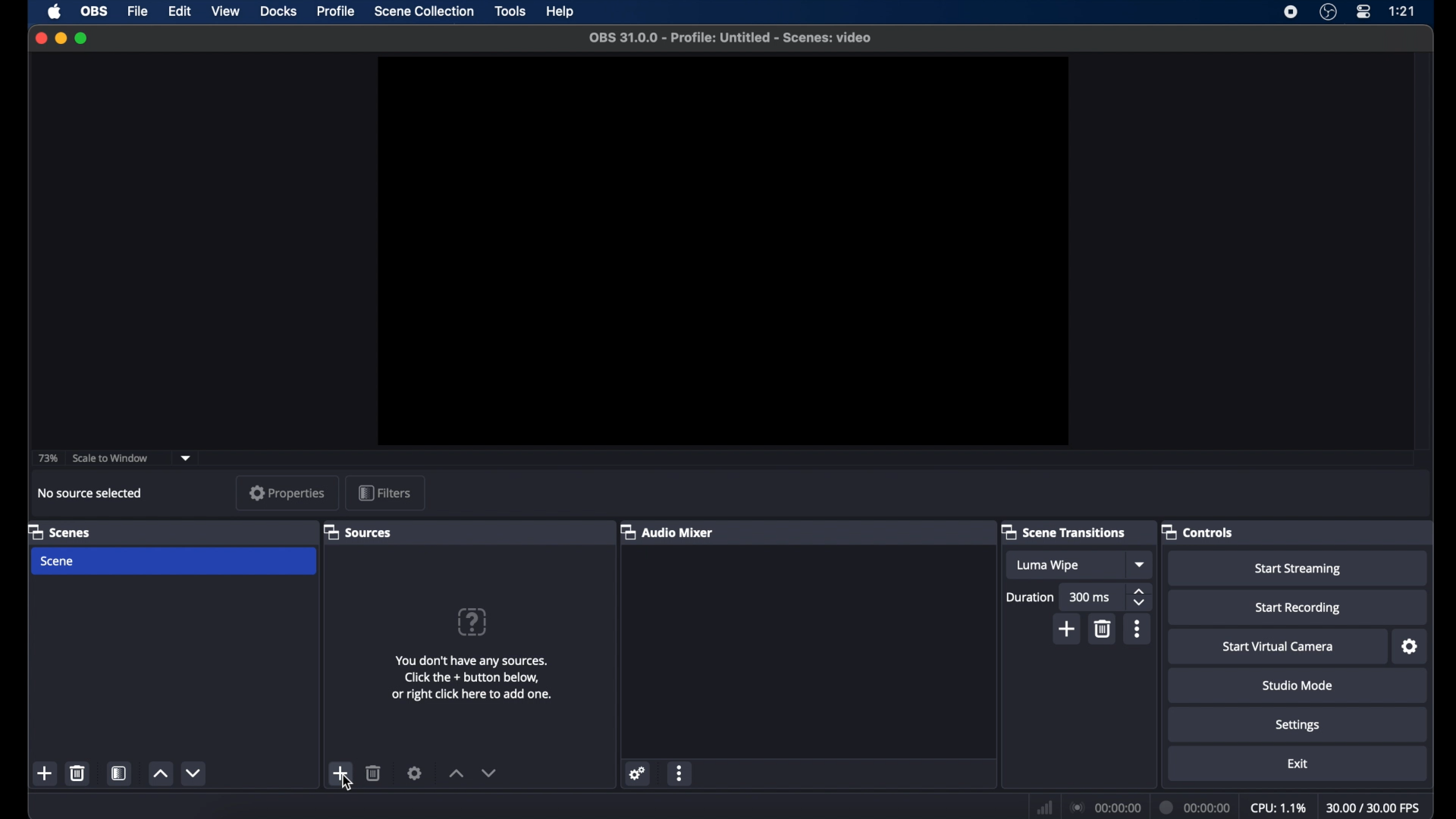  What do you see at coordinates (491, 772) in the screenshot?
I see `decrement` at bounding box center [491, 772].